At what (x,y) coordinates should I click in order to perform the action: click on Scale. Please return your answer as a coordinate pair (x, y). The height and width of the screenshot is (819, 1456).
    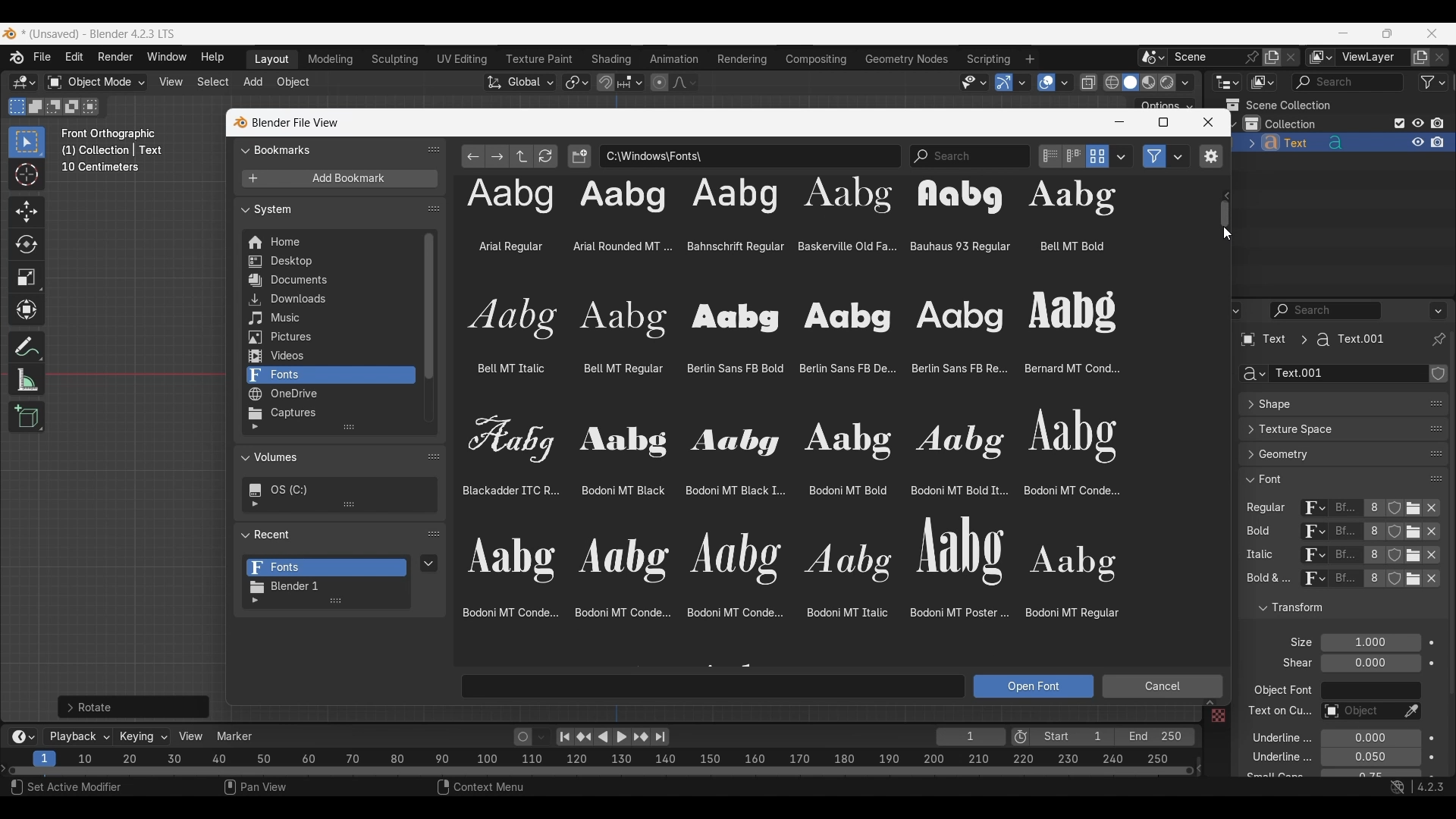
    Looking at the image, I should click on (27, 278).